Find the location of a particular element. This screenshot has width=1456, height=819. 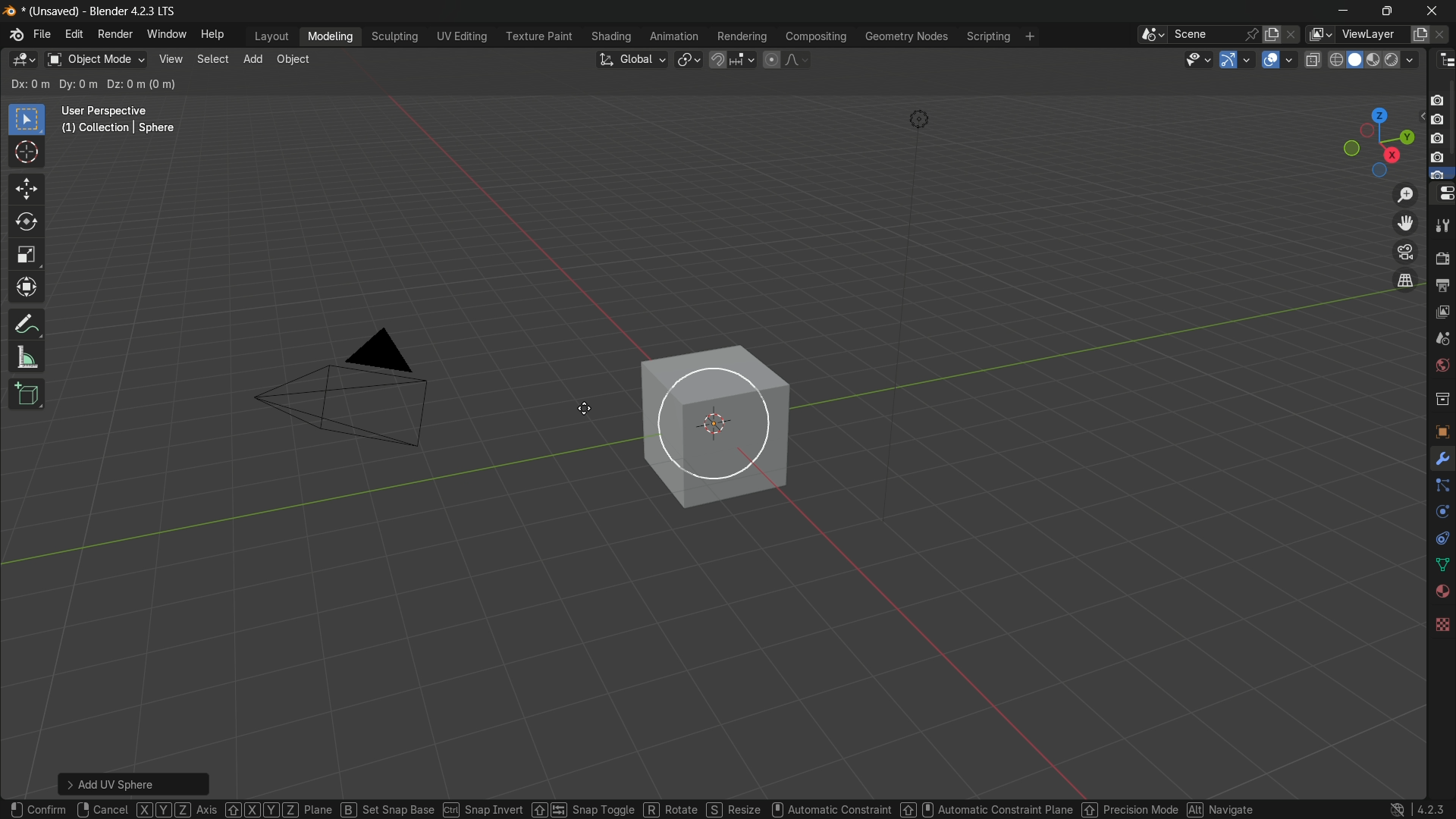

render menu is located at coordinates (115, 35).